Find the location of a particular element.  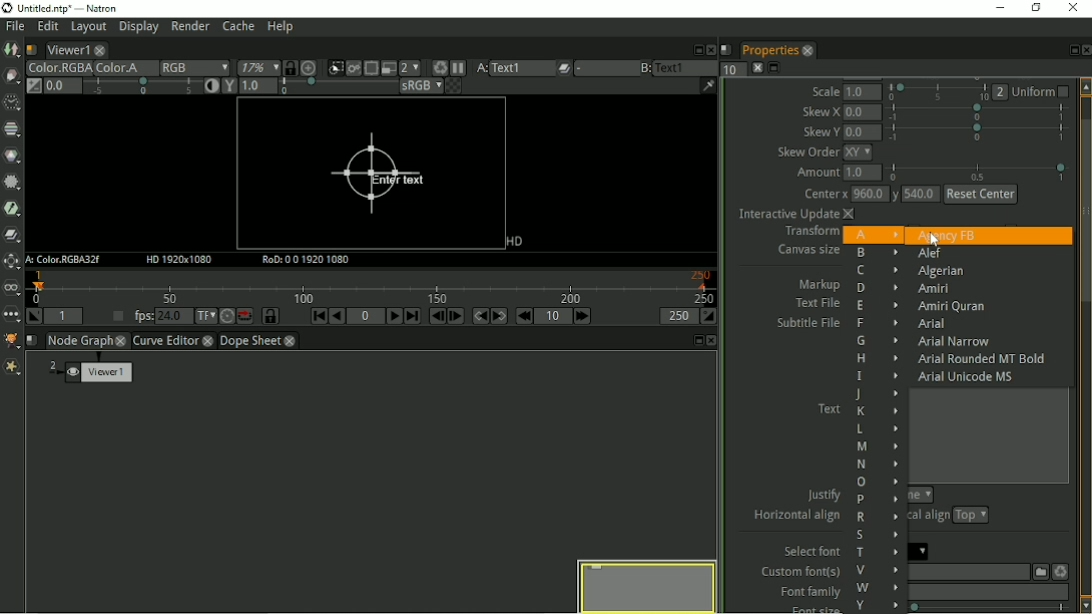

D is located at coordinates (877, 288).